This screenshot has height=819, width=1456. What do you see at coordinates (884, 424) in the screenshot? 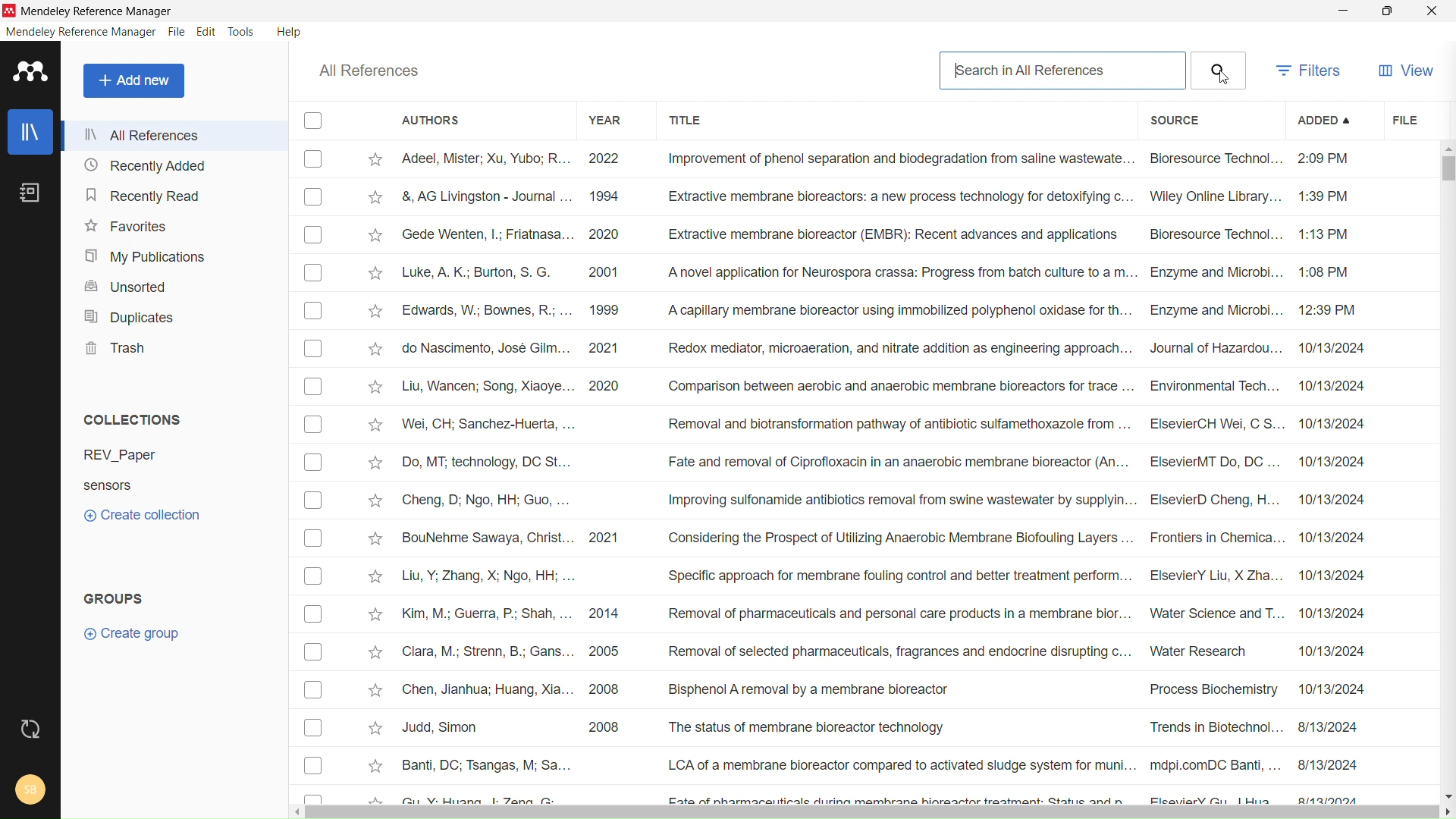
I see `Nei, CH; Sanchez-Huerta, ... Removal and biotransformation pathway of antibiotic sulfamethoxazole from...  ElsevierCH Wei, C S. 10/13/2024` at bounding box center [884, 424].